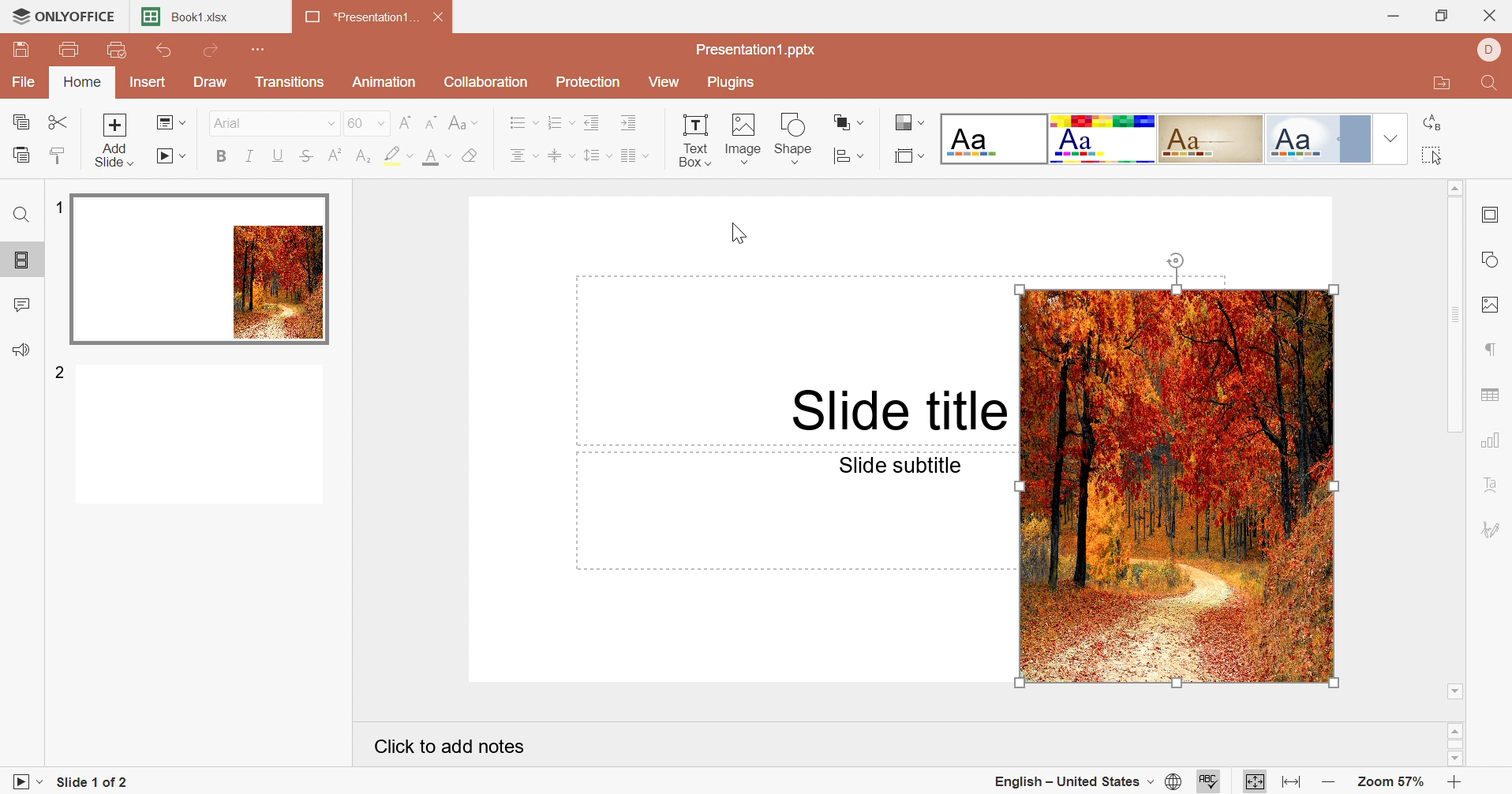 This screenshot has height=794, width=1512. I want to click on Vertical align, so click(557, 156).